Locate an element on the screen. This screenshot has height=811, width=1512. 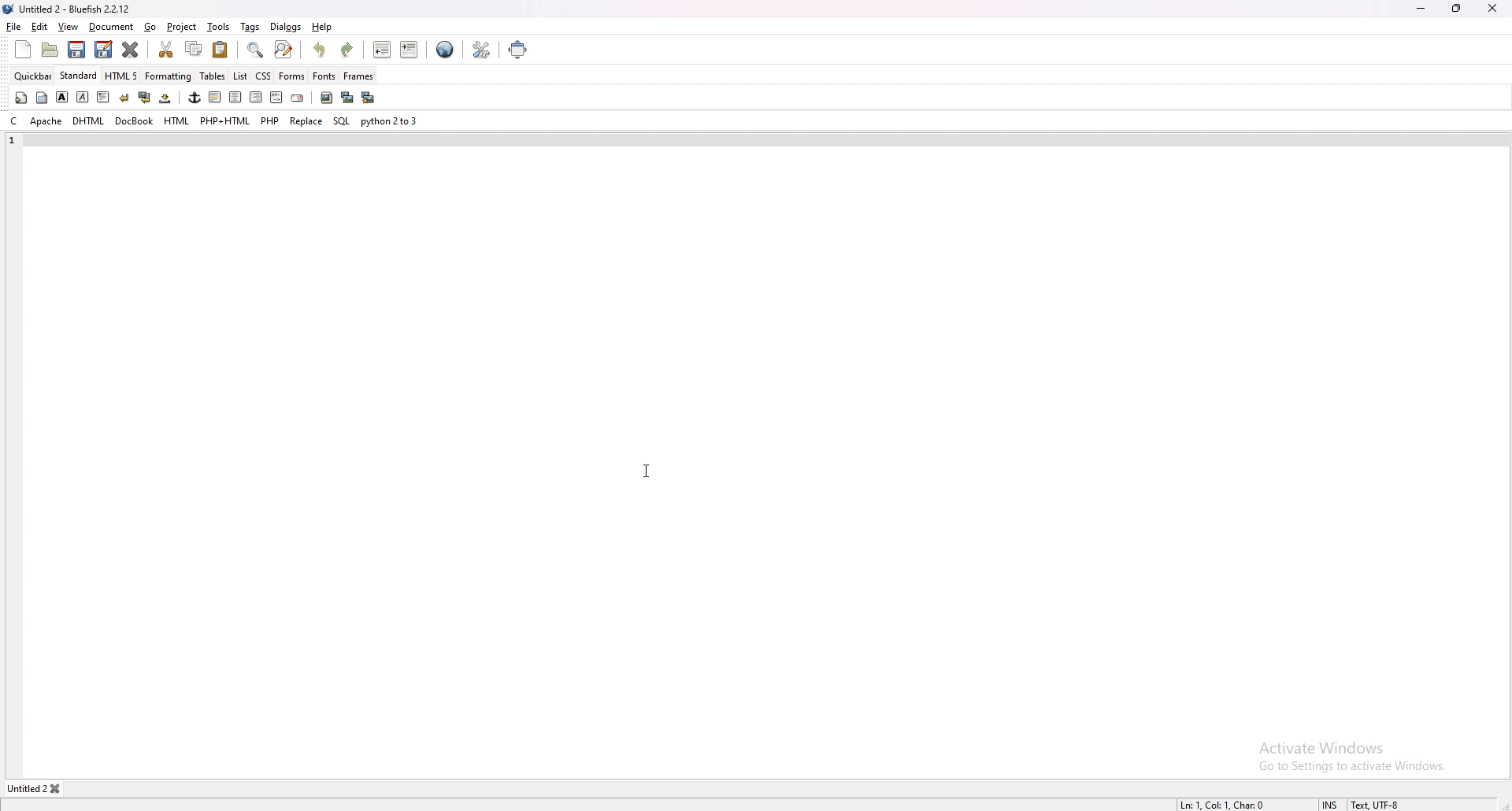
edit preference is located at coordinates (480, 50).